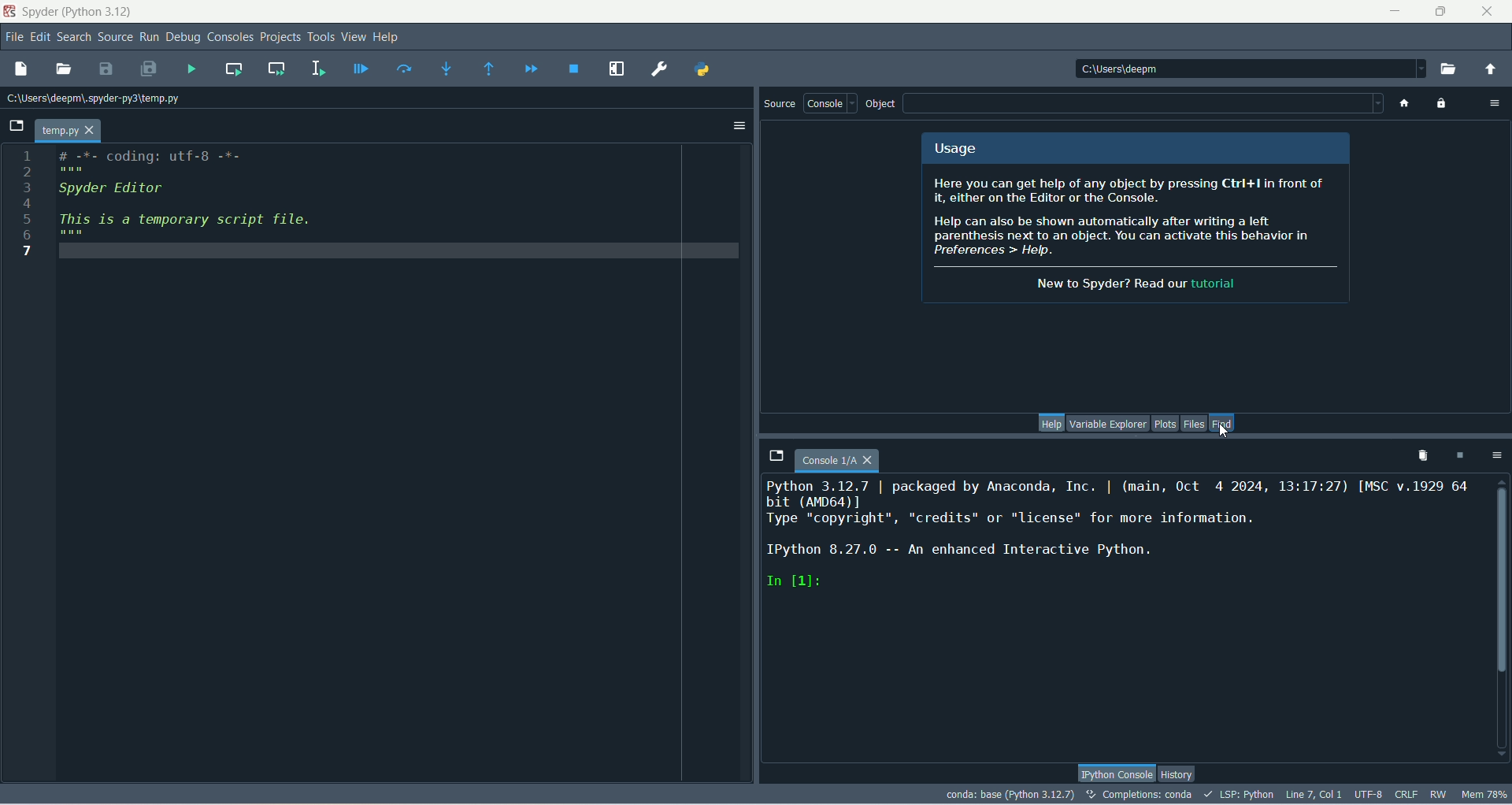 The image size is (1512, 805). What do you see at coordinates (1496, 457) in the screenshot?
I see `options` at bounding box center [1496, 457].